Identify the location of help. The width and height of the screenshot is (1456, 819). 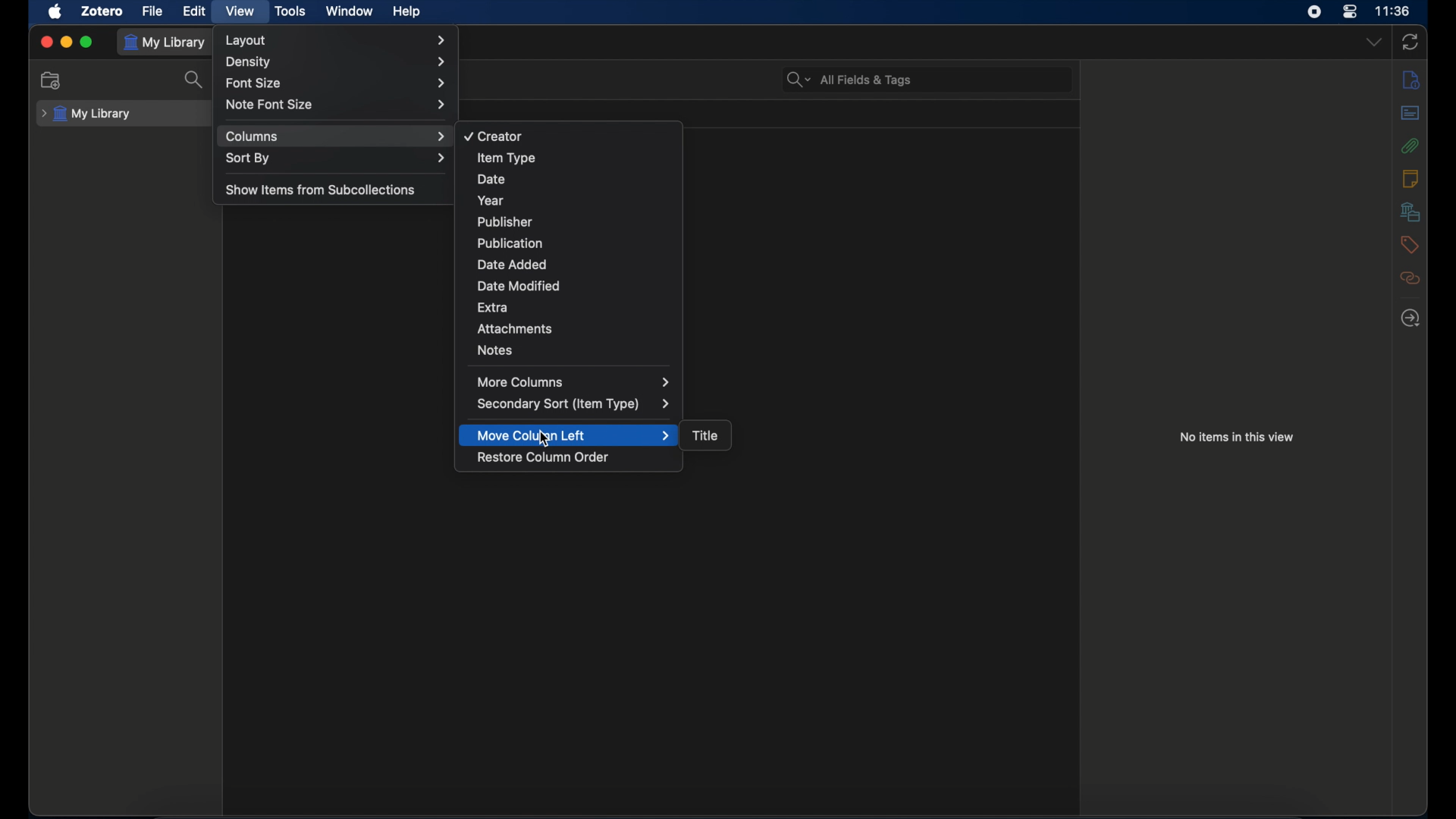
(406, 12).